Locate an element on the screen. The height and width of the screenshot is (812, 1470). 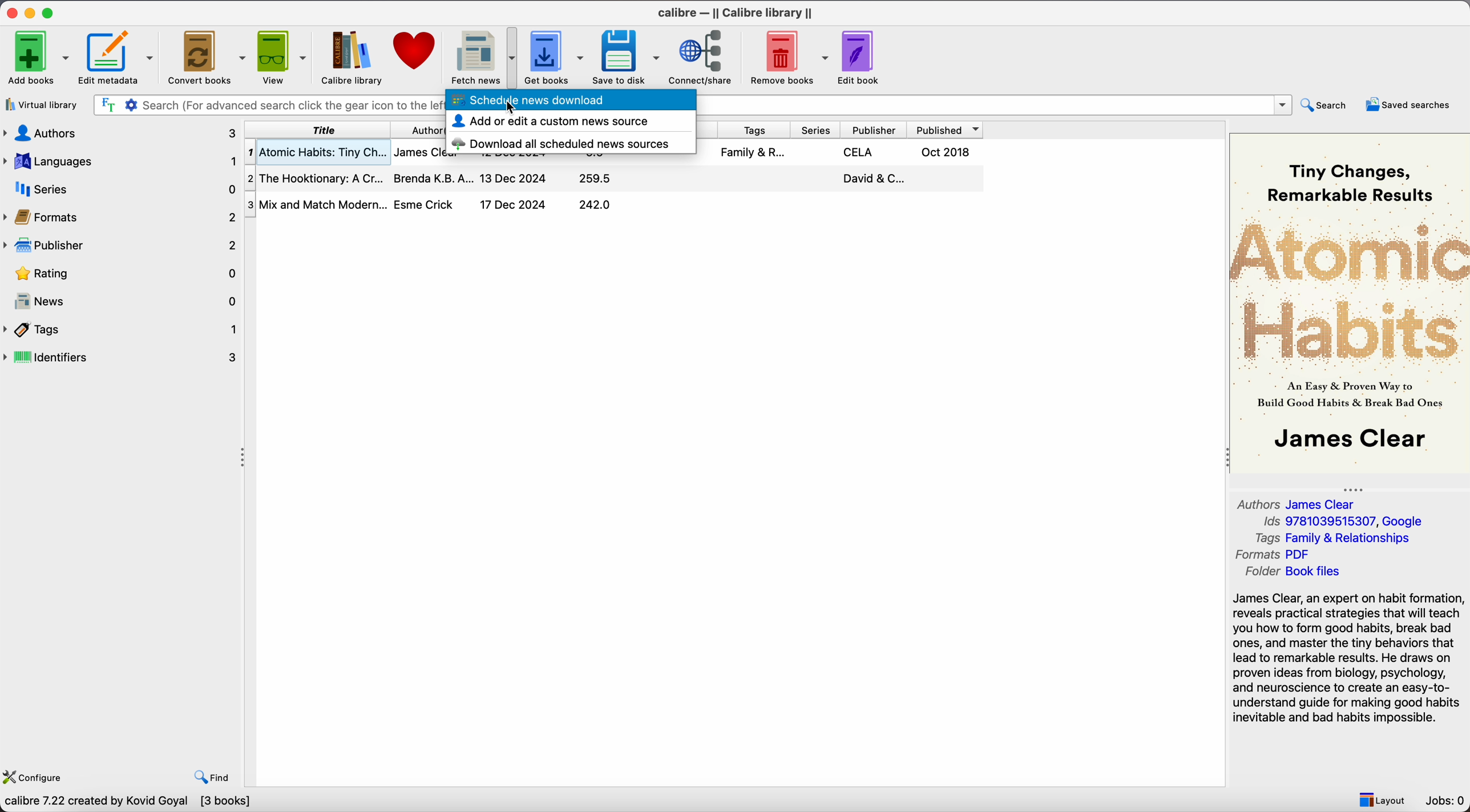
Mix and Match Modern...  is located at coordinates (316, 205).